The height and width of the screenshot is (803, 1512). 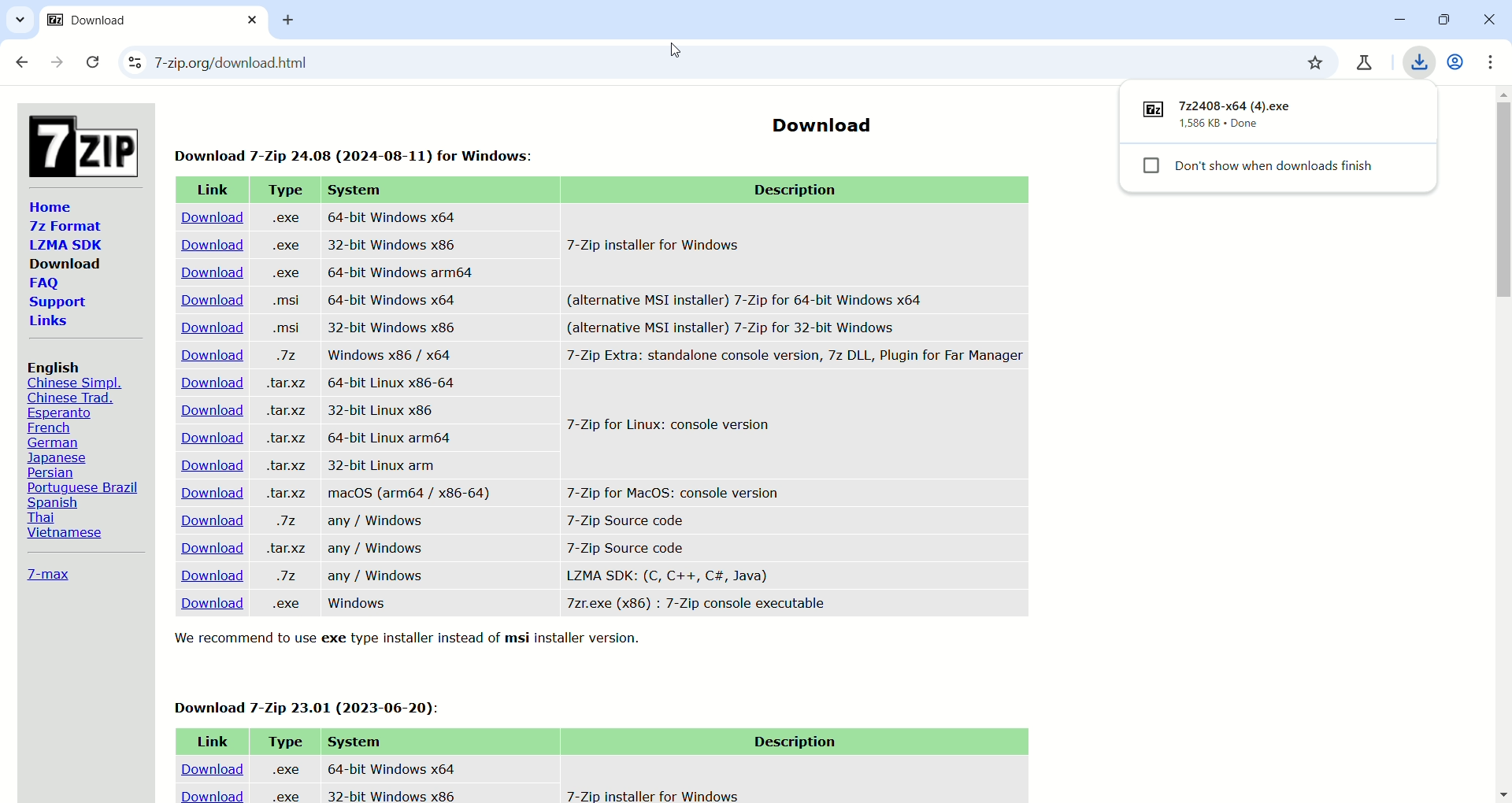 I want to click on Windows, so click(x=360, y=605).